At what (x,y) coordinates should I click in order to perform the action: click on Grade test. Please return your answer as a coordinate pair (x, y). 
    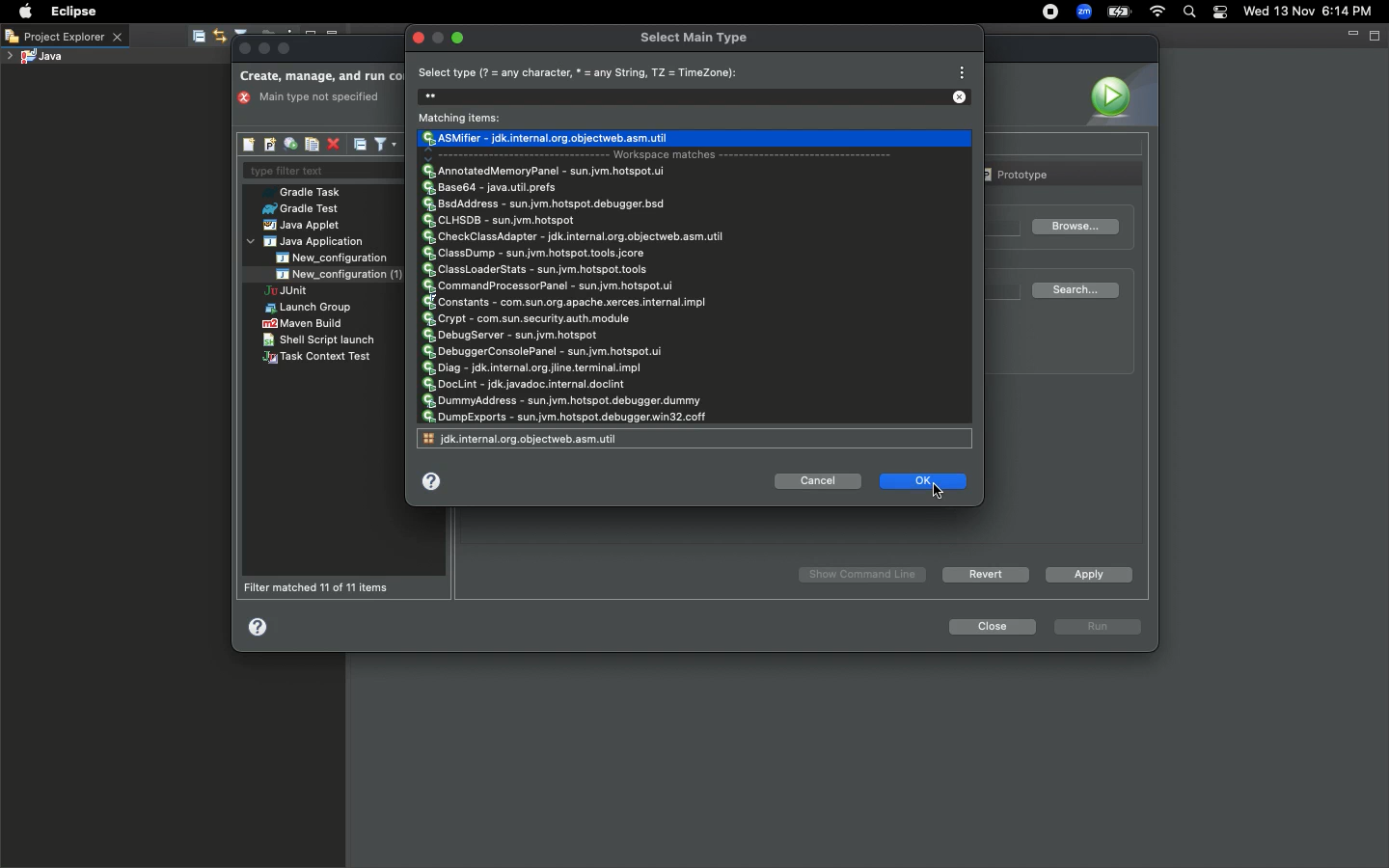
    Looking at the image, I should click on (299, 209).